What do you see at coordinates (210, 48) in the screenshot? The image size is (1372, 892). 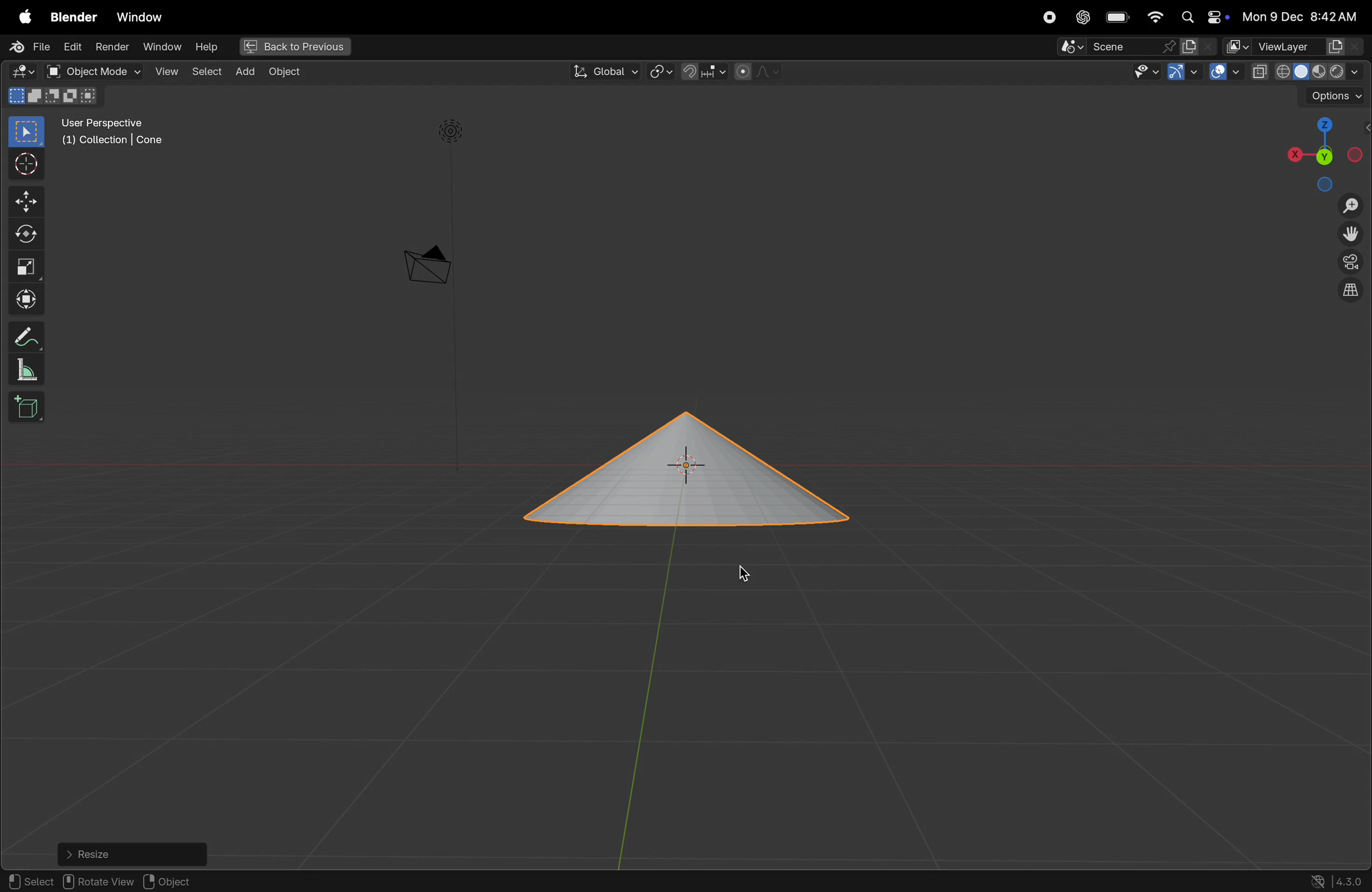 I see `help` at bounding box center [210, 48].